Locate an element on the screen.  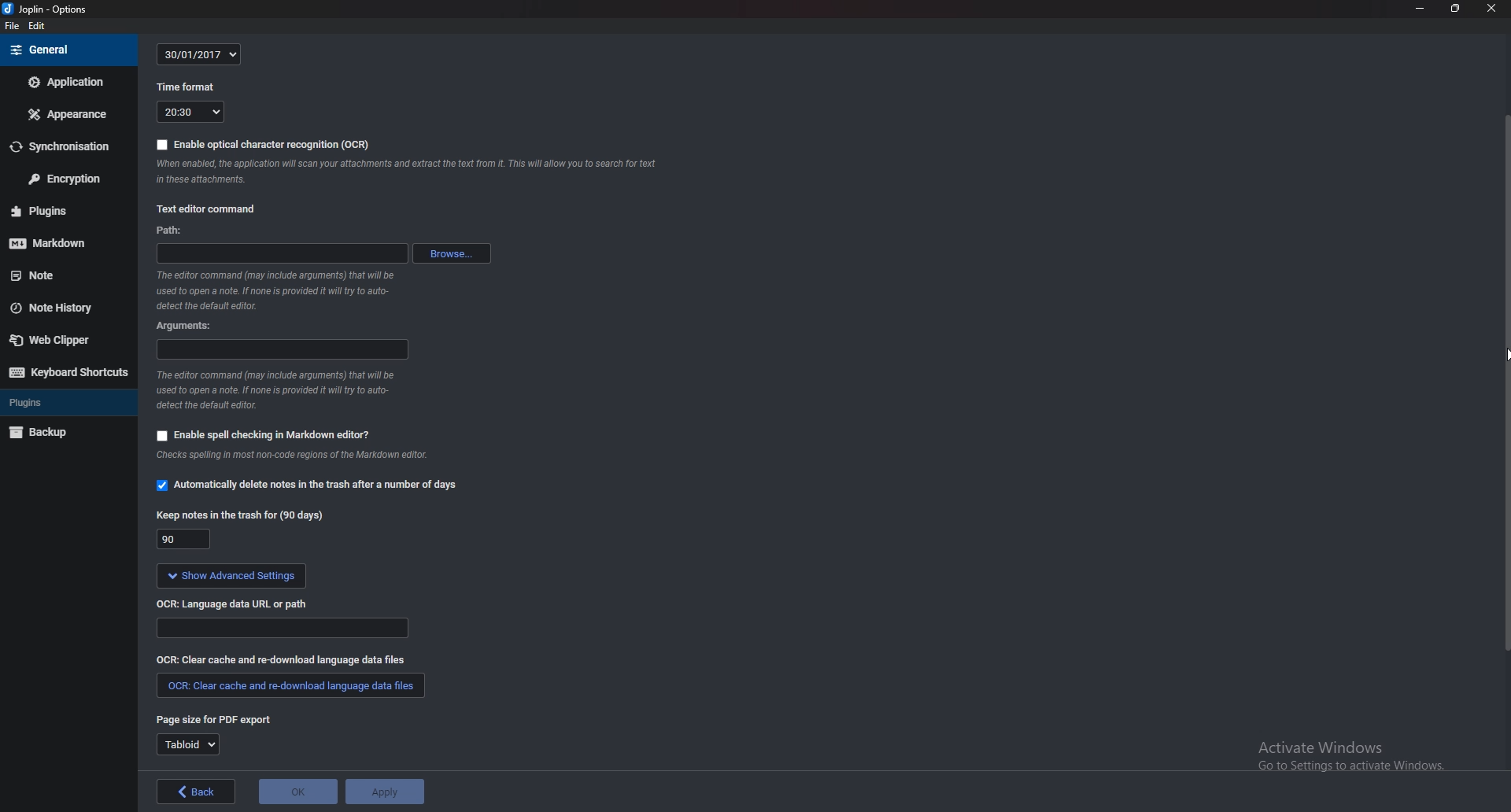
automatically delete notes in the trash option is located at coordinates (308, 484).